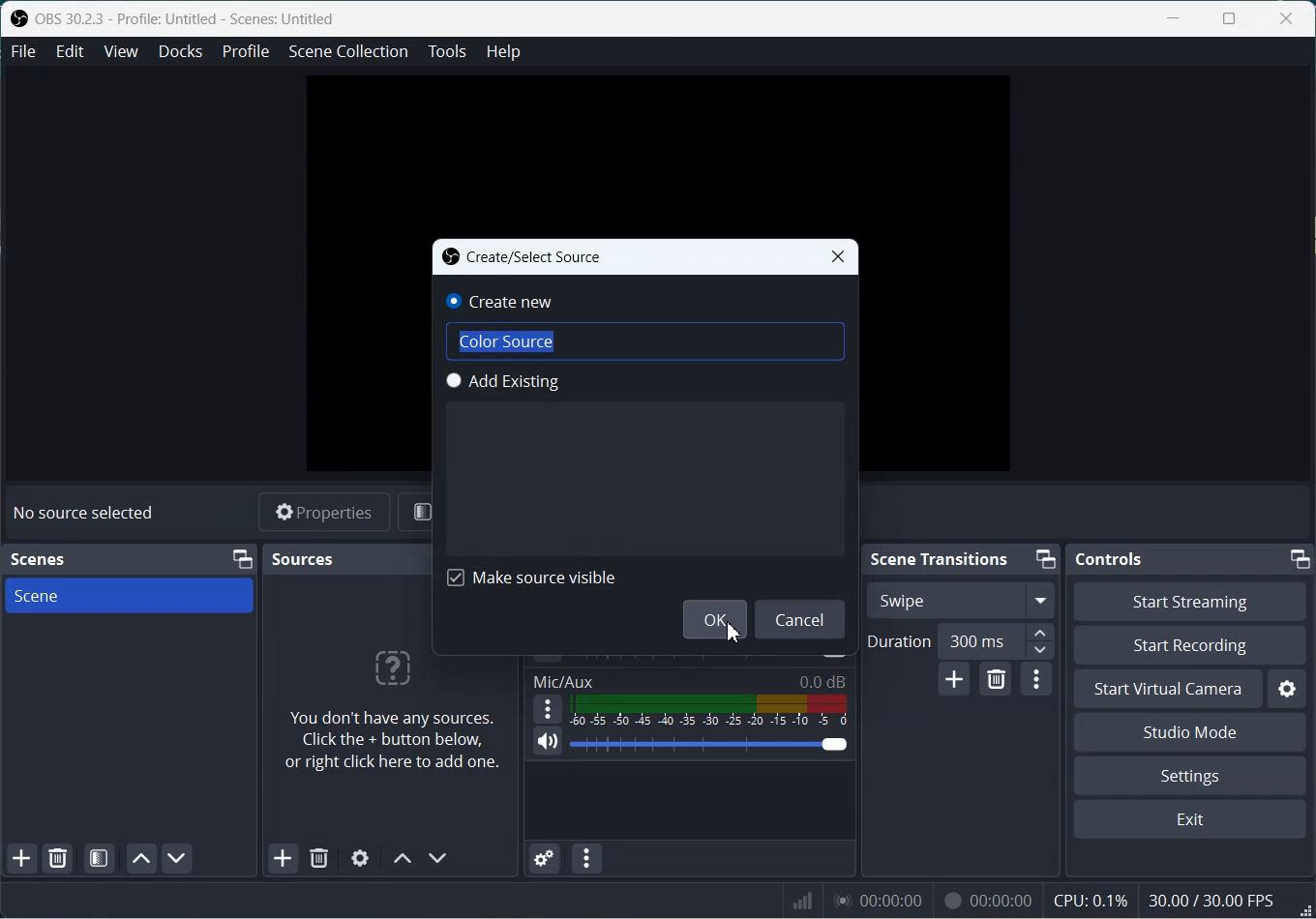 The height and width of the screenshot is (919, 1316). What do you see at coordinates (402, 859) in the screenshot?
I see `Move source up` at bounding box center [402, 859].